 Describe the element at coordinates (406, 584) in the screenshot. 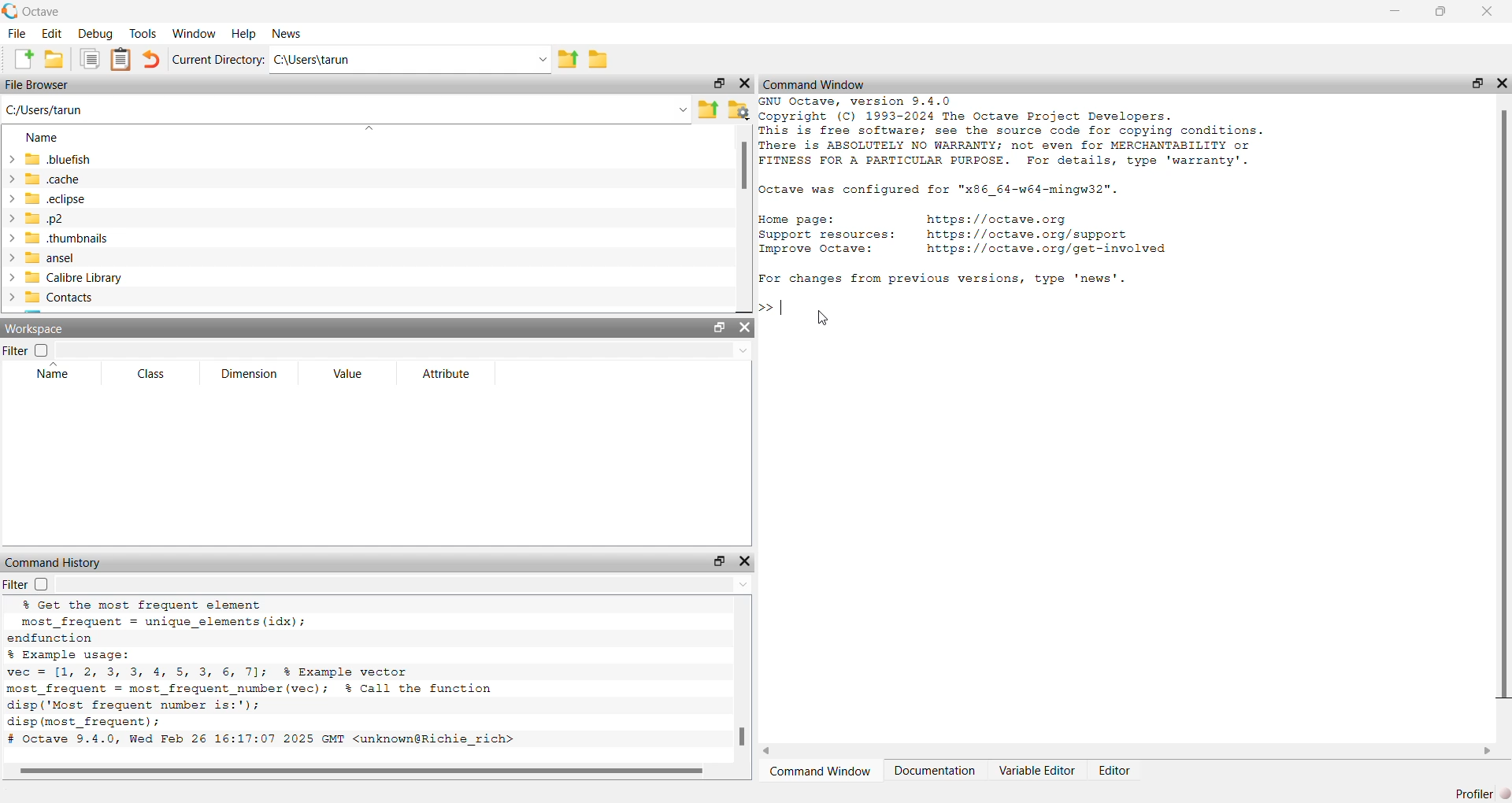

I see `Enter text to filter the command history` at that location.